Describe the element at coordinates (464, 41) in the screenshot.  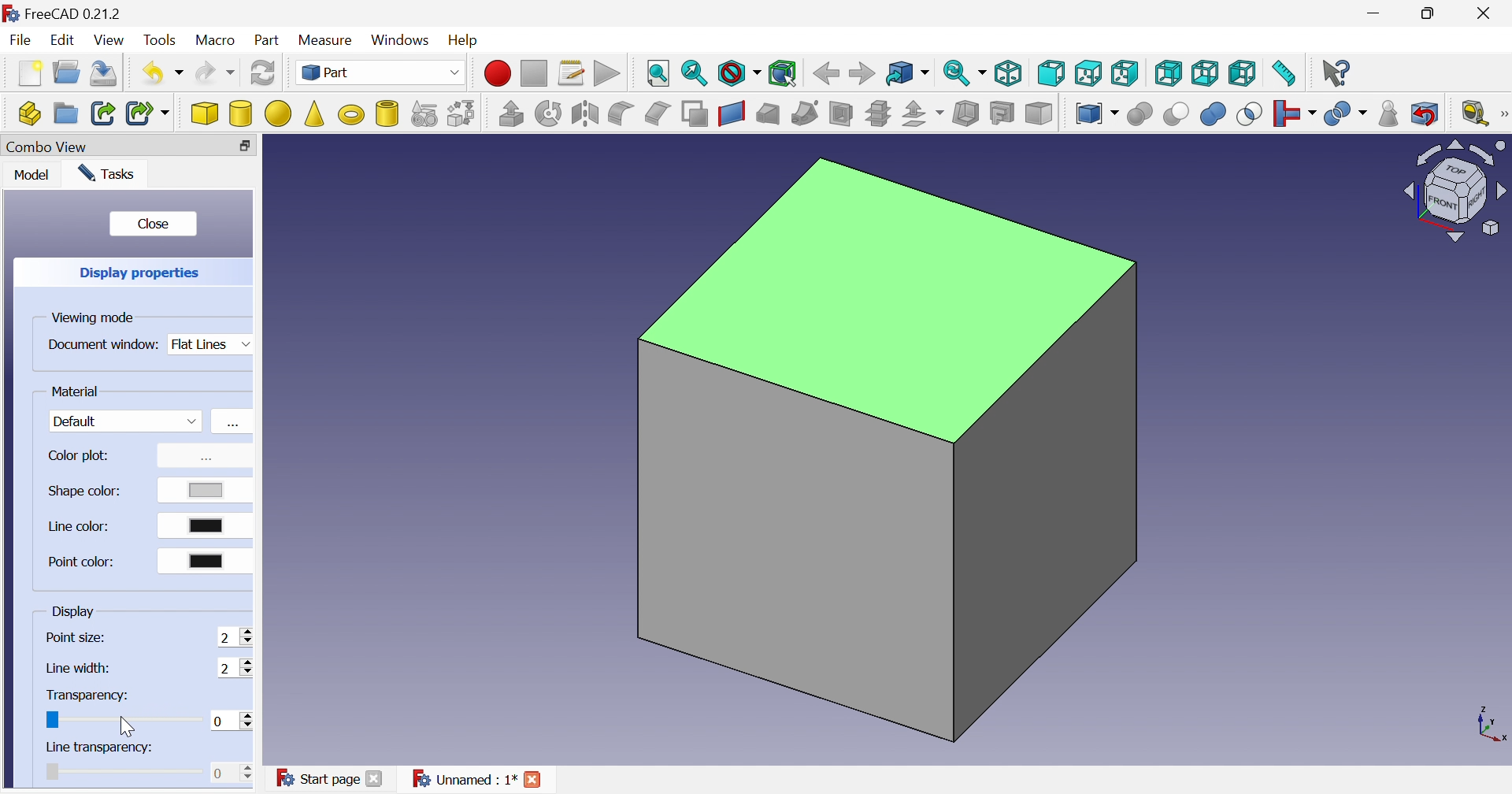
I see `Help` at that location.